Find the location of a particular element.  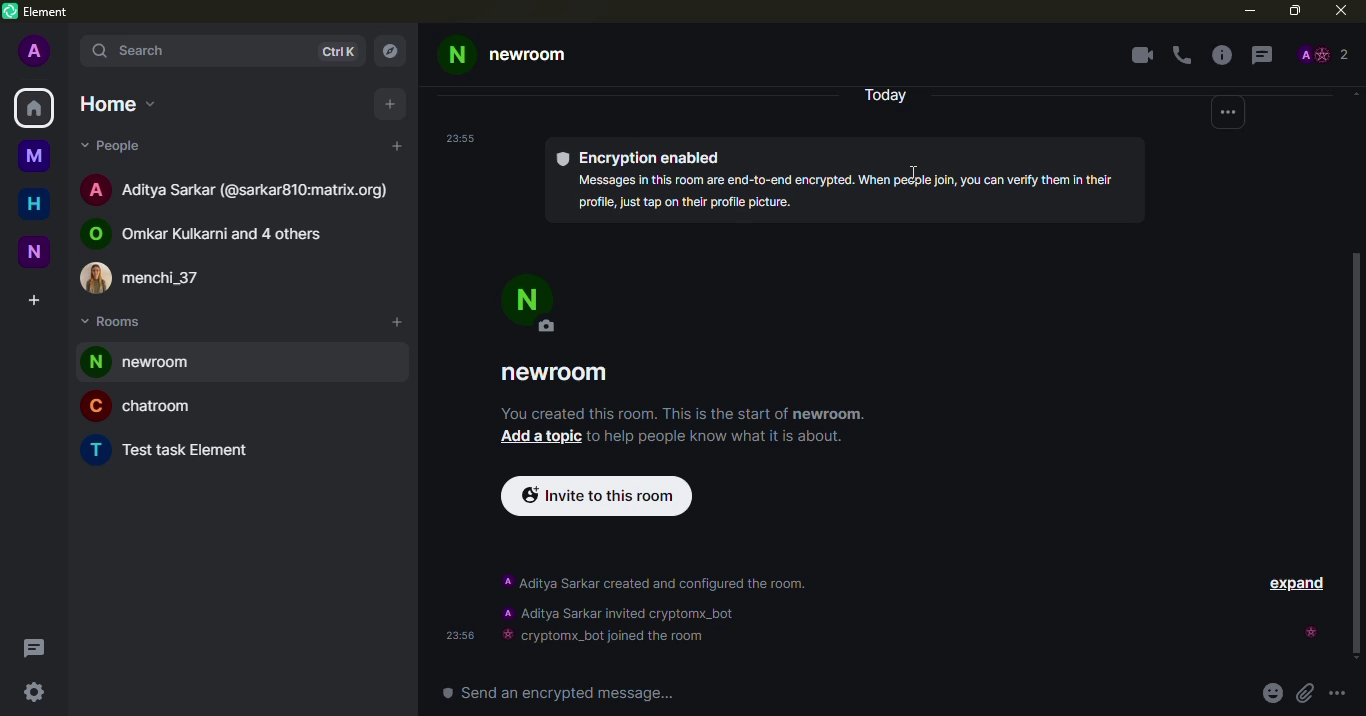

search is located at coordinates (145, 51).